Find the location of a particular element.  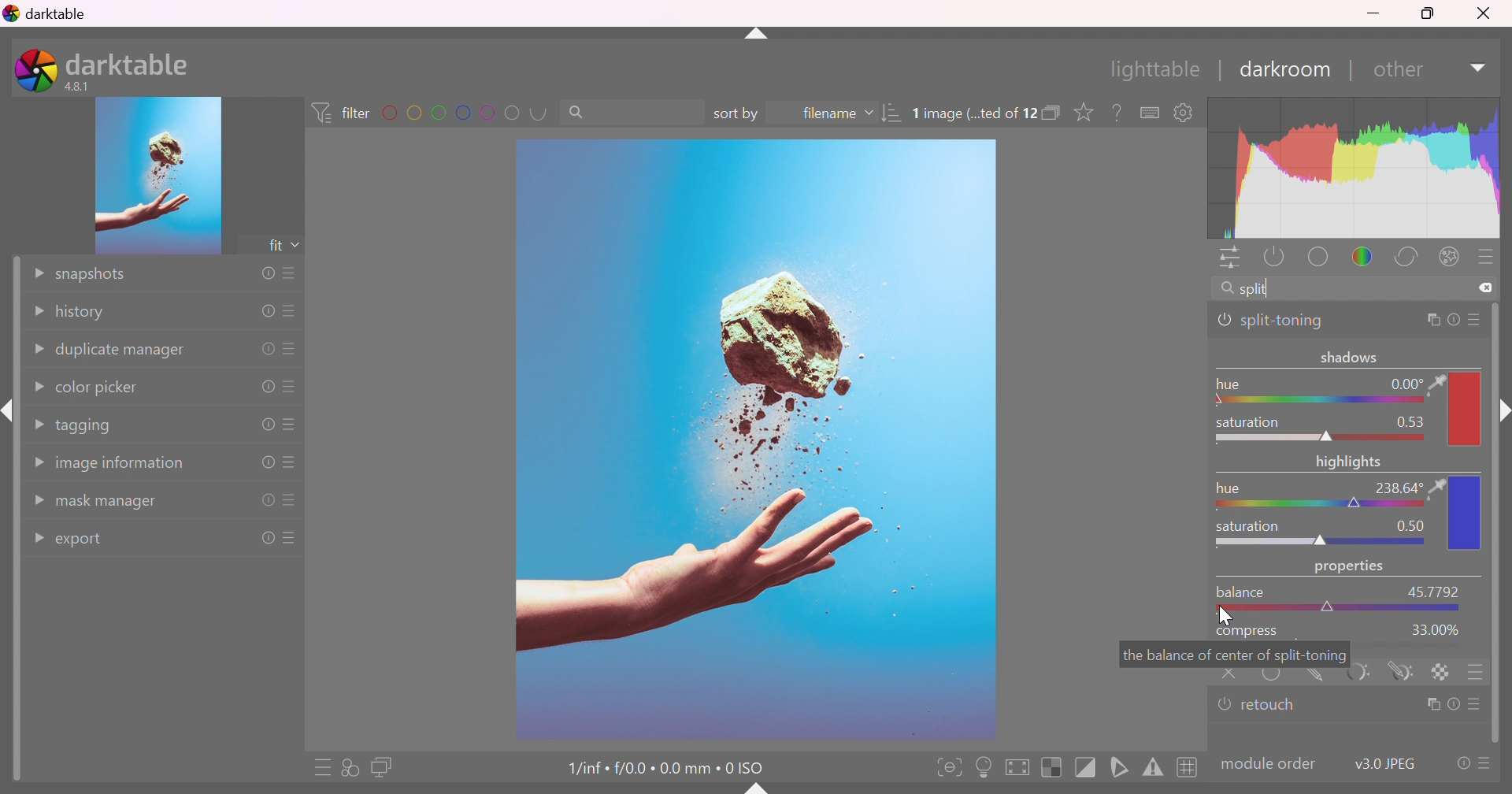

quick access for applying any of your styles is located at coordinates (354, 766).